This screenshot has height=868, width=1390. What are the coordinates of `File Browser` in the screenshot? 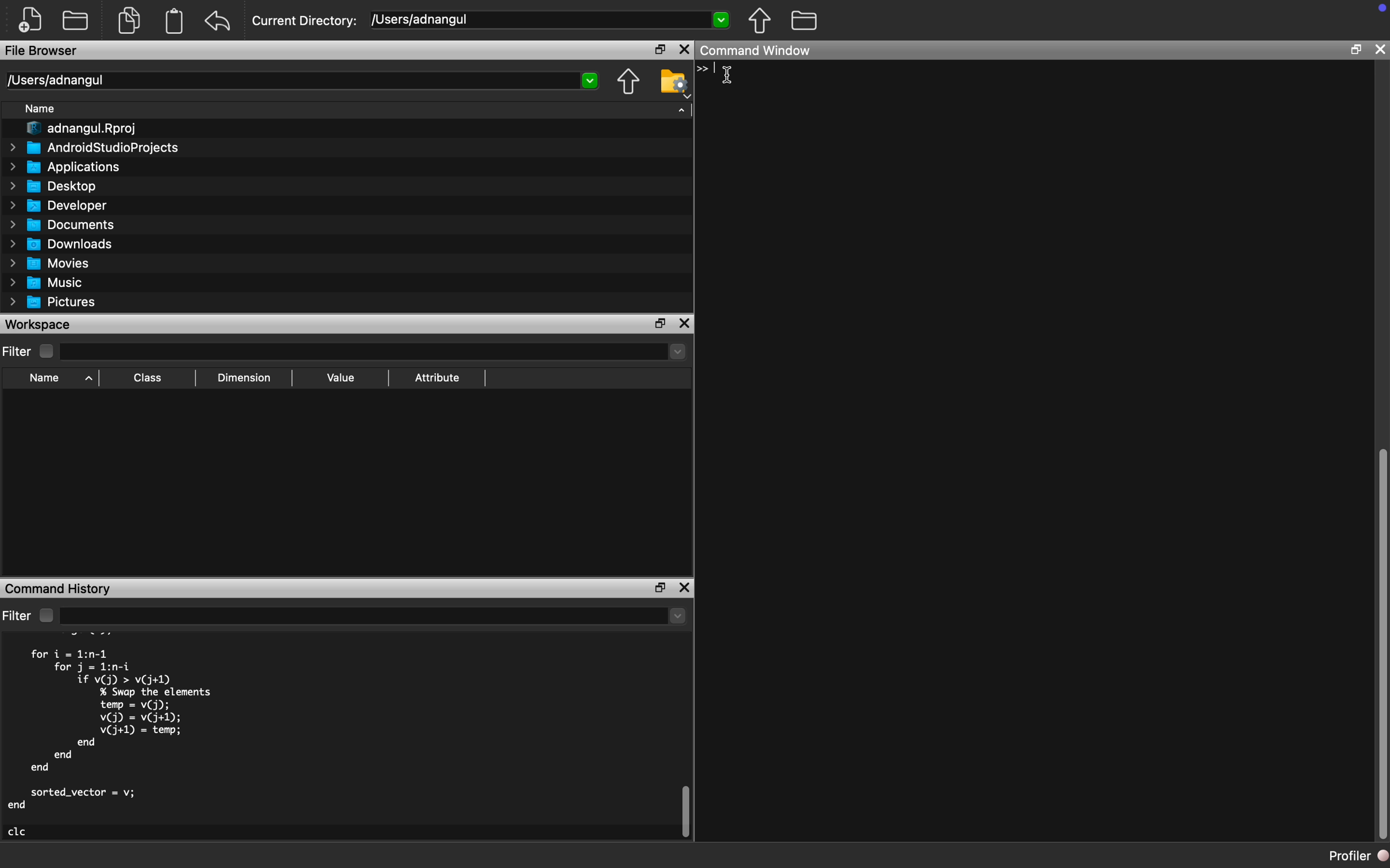 It's located at (45, 51).